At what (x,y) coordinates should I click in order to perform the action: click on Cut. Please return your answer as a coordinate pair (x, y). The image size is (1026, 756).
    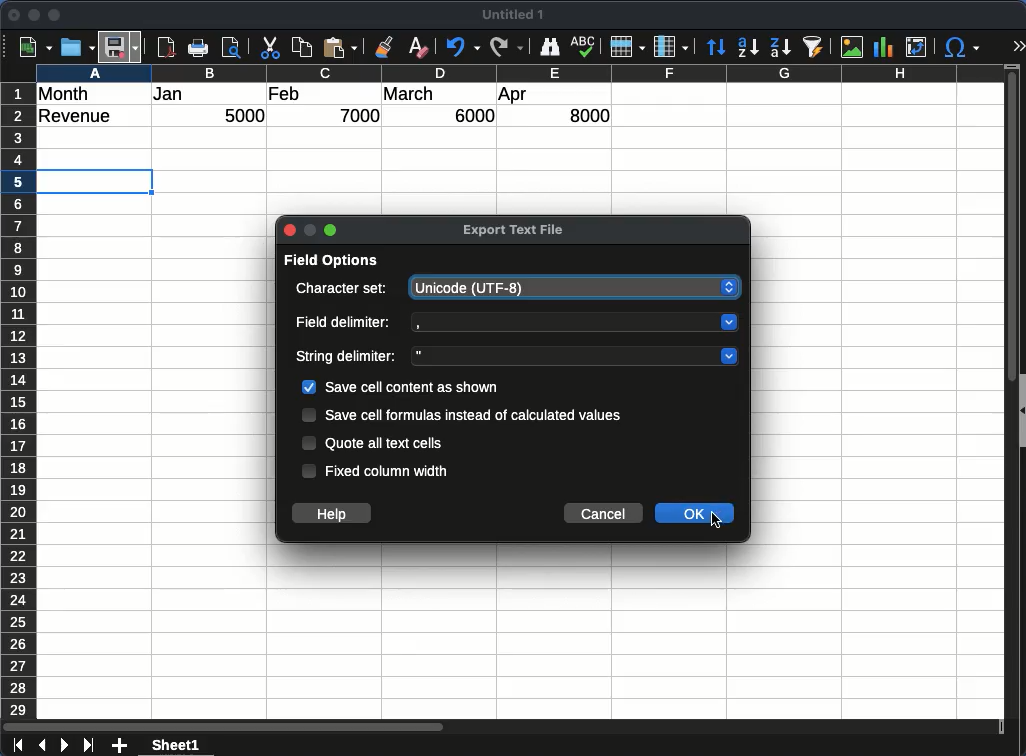
    Looking at the image, I should click on (270, 48).